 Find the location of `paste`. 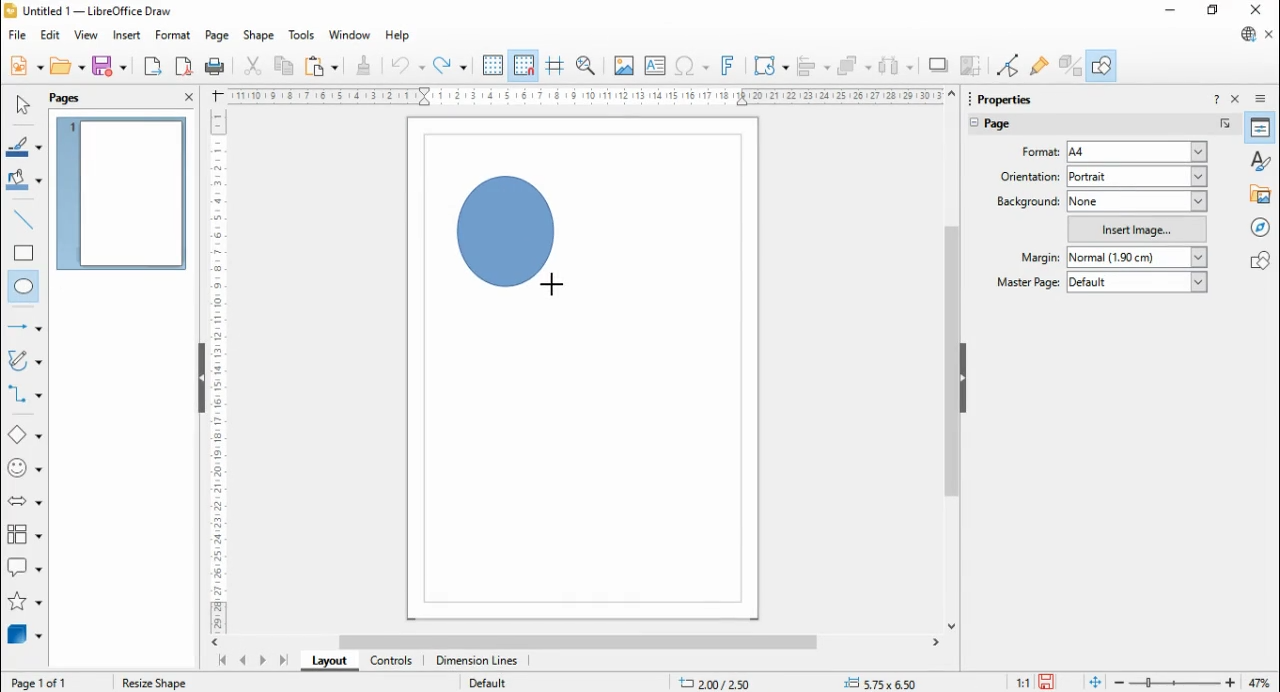

paste is located at coordinates (320, 65).